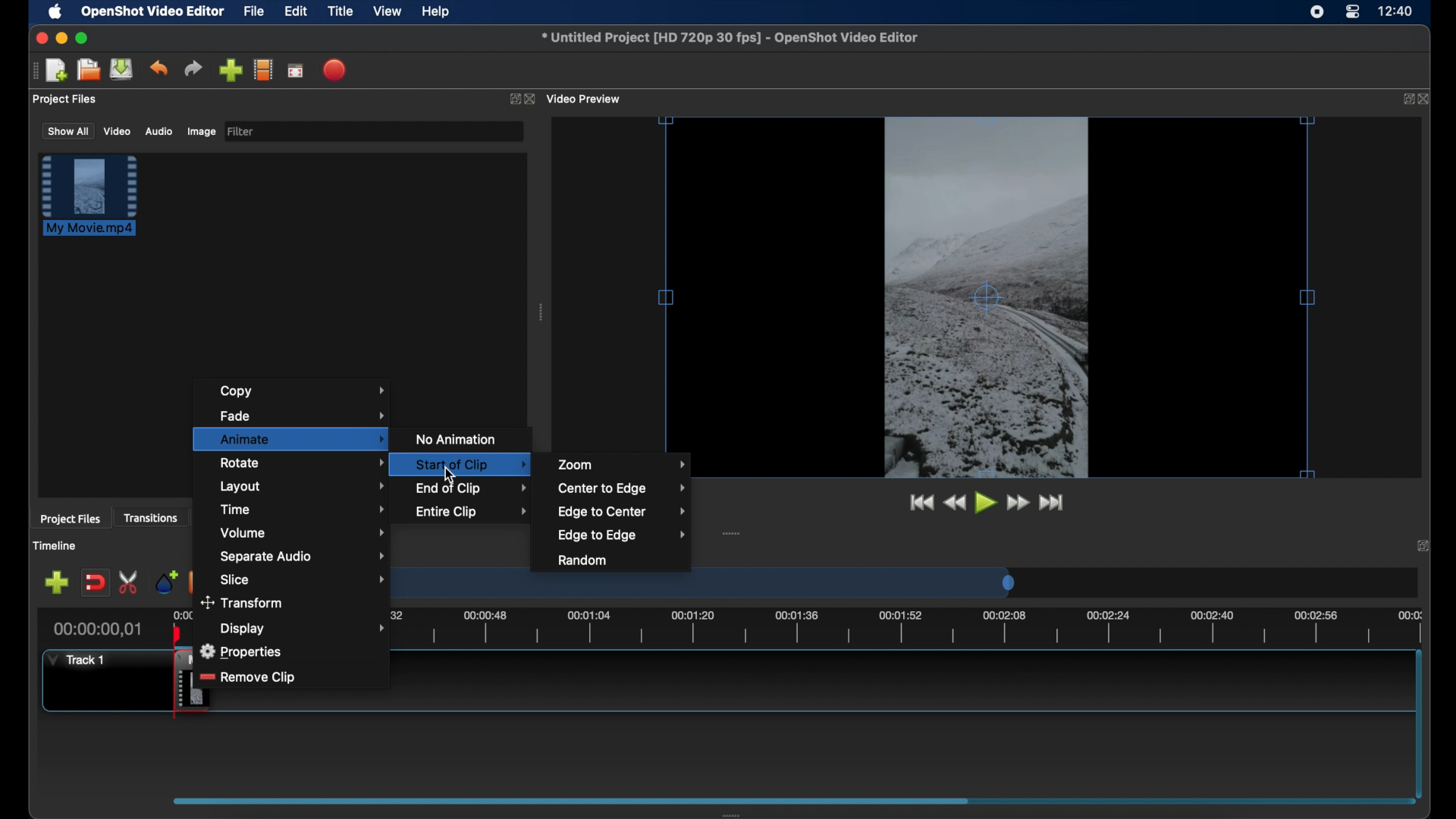 The height and width of the screenshot is (819, 1456). What do you see at coordinates (88, 70) in the screenshot?
I see `open project` at bounding box center [88, 70].